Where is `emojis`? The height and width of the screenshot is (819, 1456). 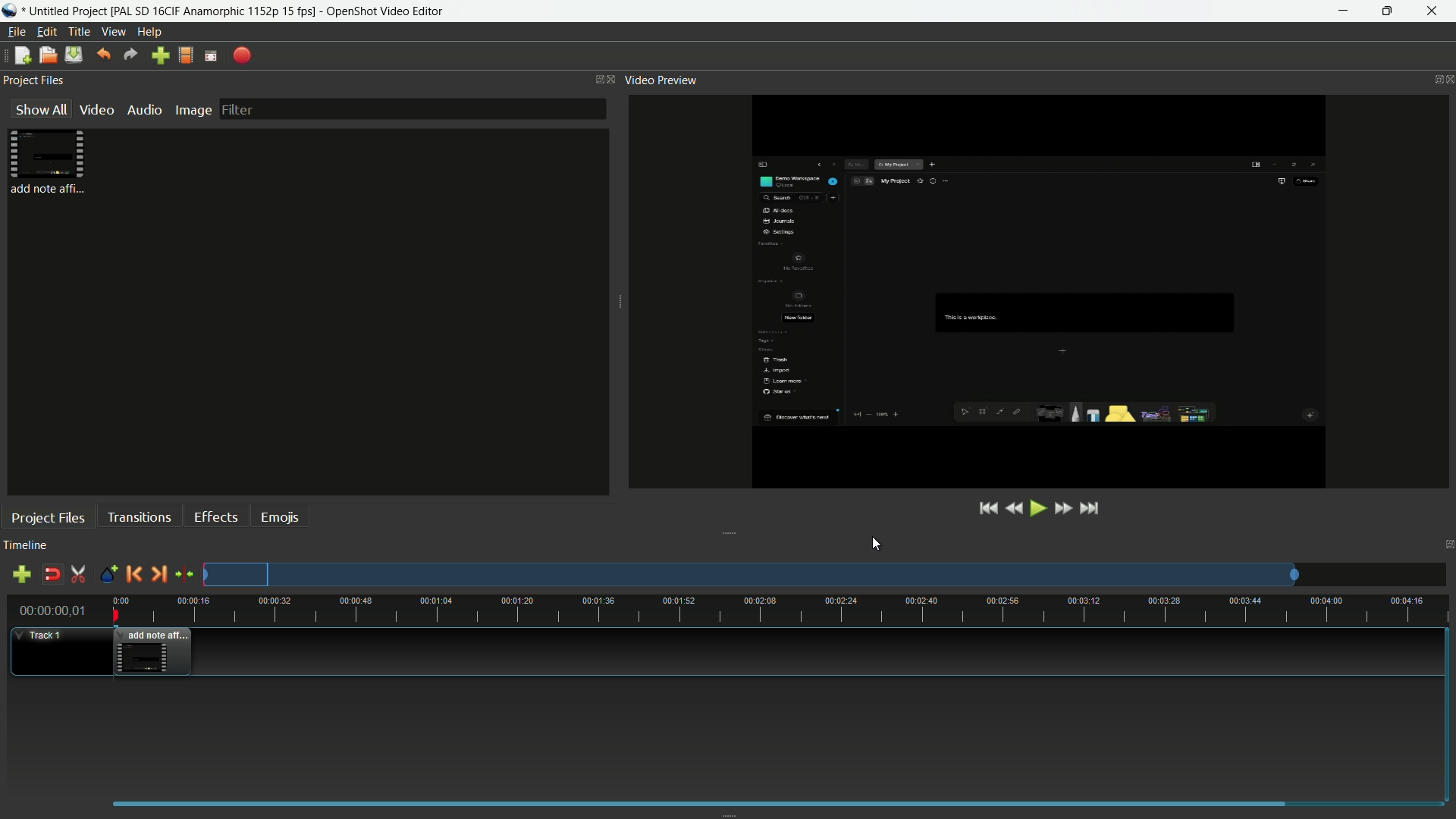
emojis is located at coordinates (281, 518).